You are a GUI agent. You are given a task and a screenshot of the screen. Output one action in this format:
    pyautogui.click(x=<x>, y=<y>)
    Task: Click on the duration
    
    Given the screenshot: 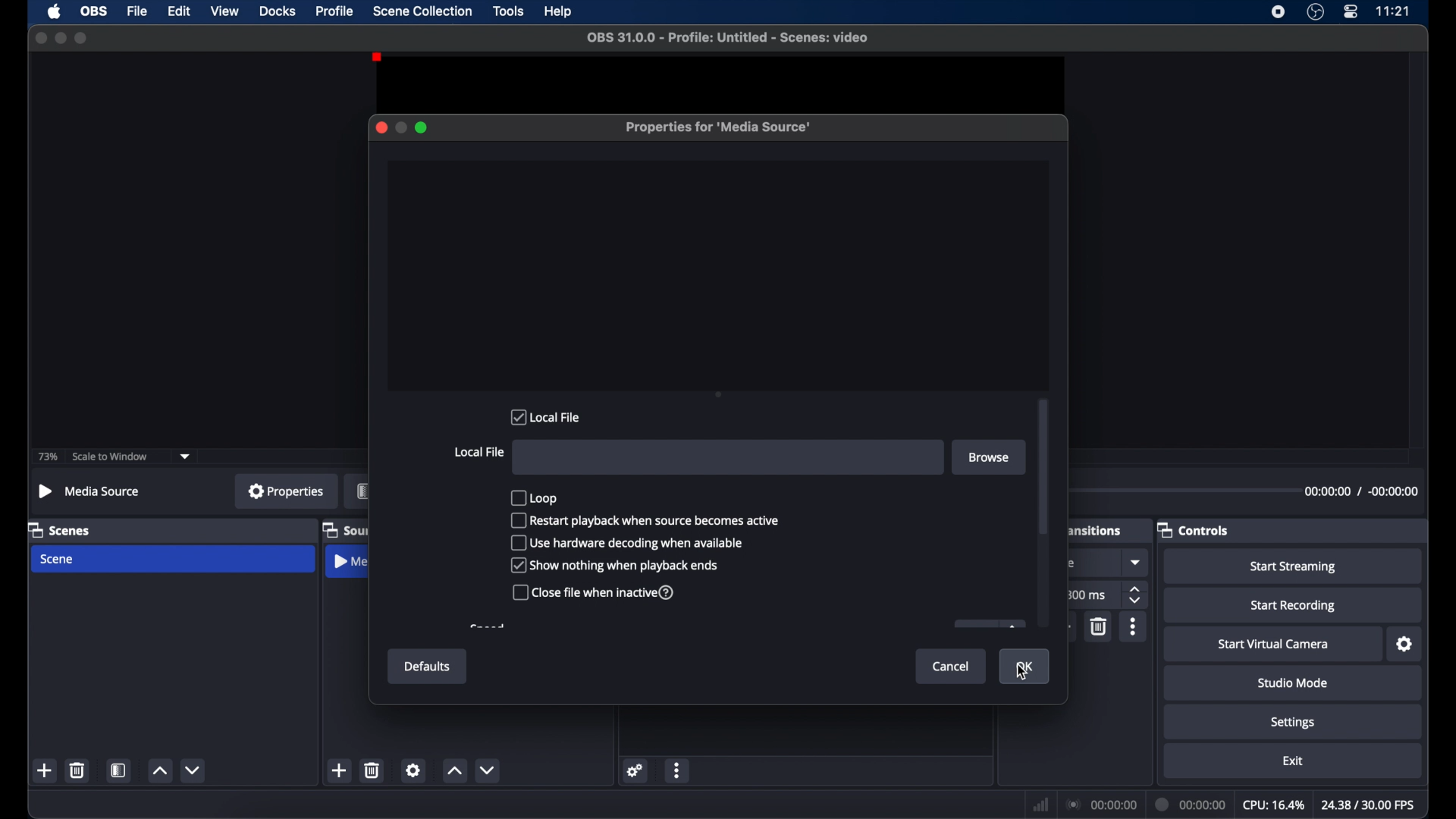 What is the action you would take?
    pyautogui.click(x=1191, y=805)
    